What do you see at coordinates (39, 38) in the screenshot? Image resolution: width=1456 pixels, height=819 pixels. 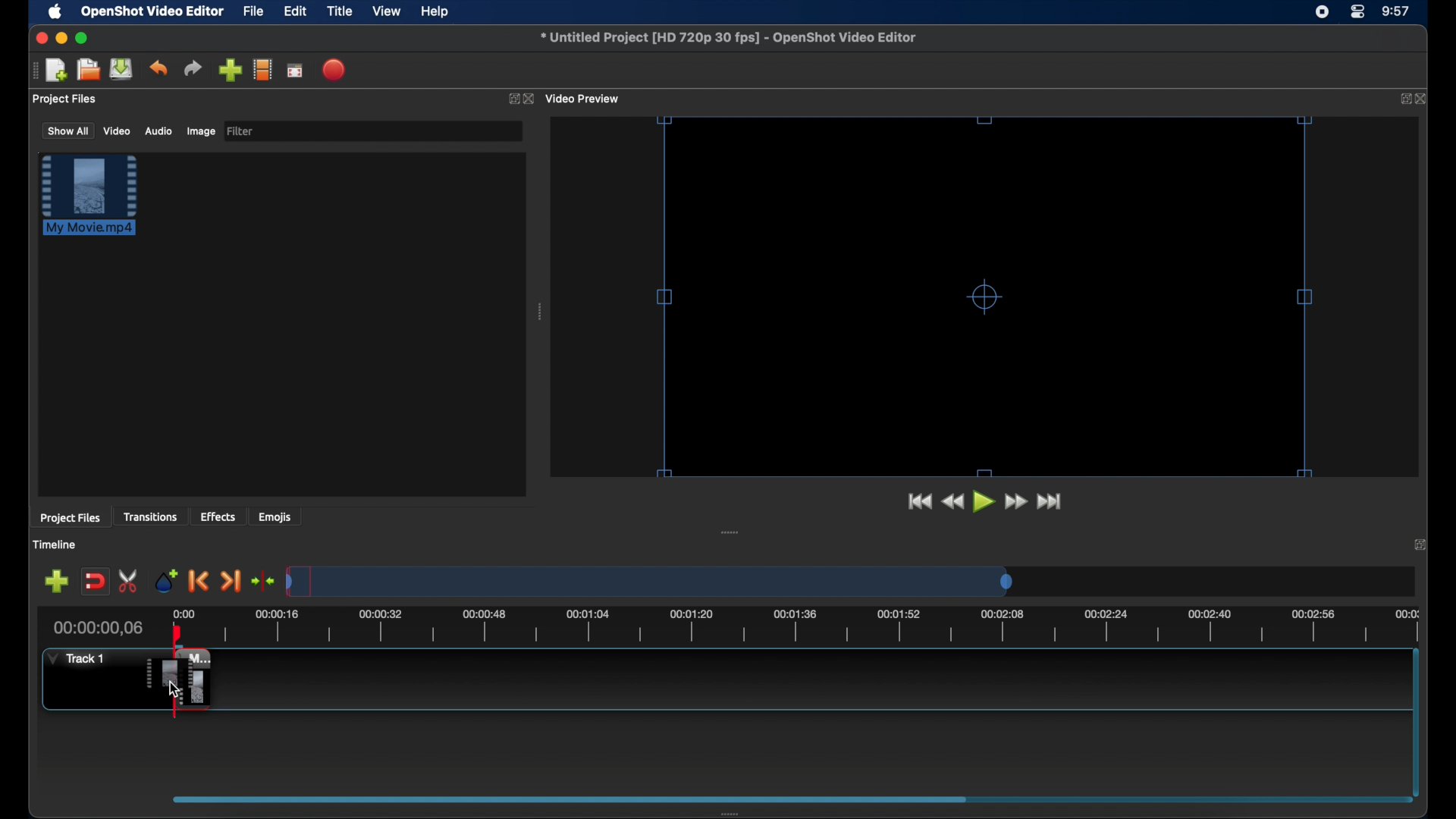 I see `close` at bounding box center [39, 38].